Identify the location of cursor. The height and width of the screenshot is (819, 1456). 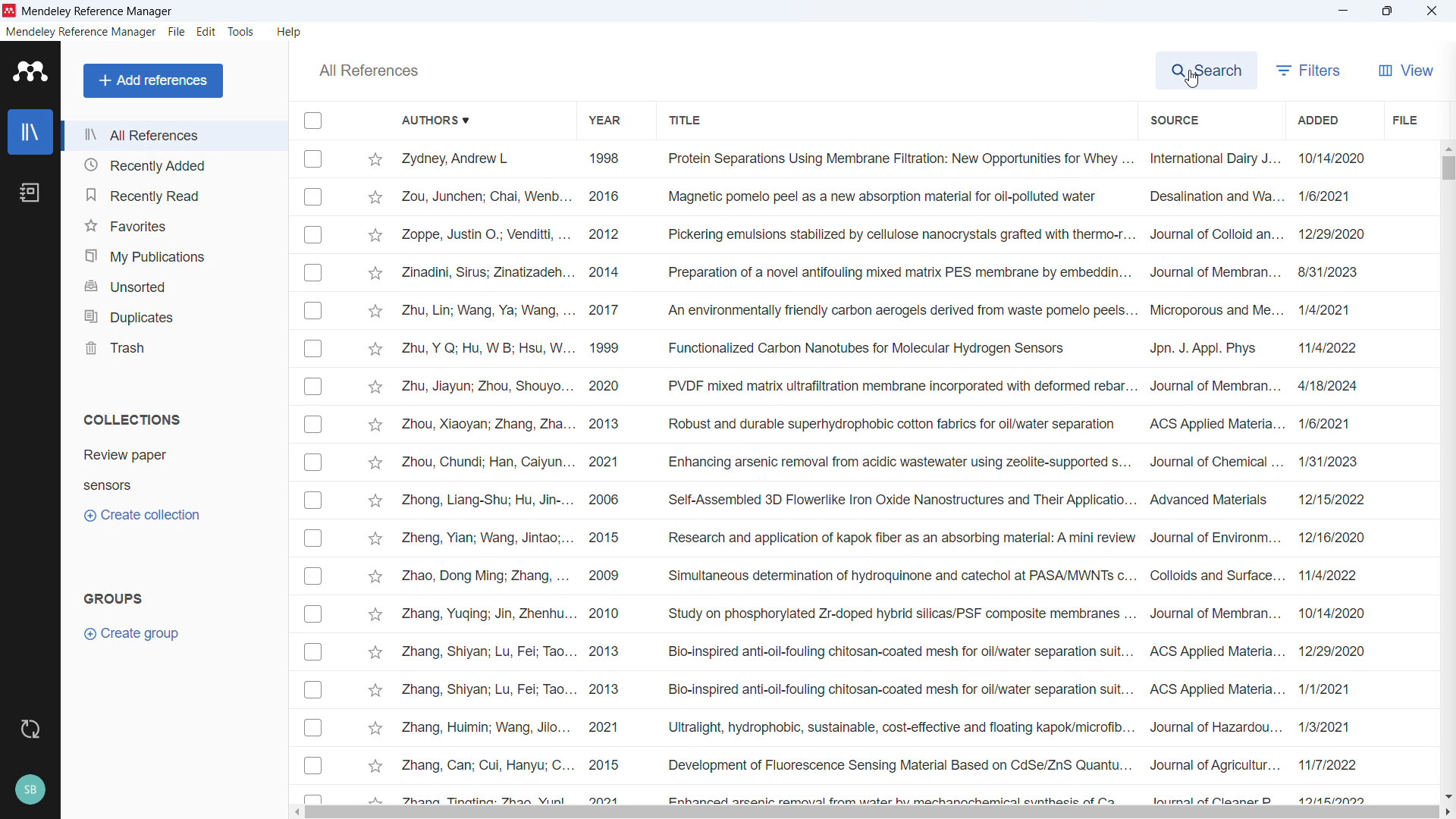
(1192, 79).